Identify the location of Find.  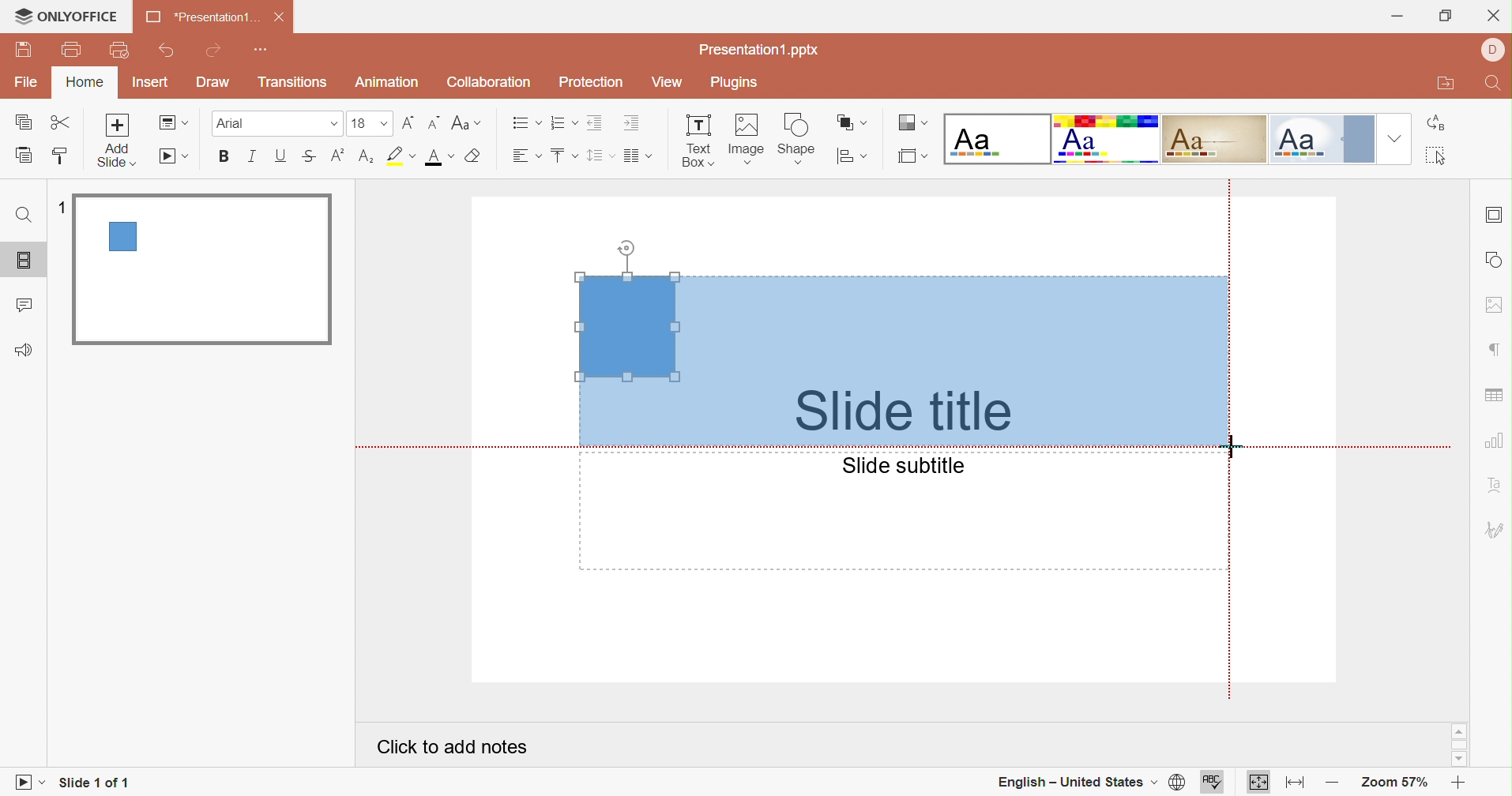
(22, 216).